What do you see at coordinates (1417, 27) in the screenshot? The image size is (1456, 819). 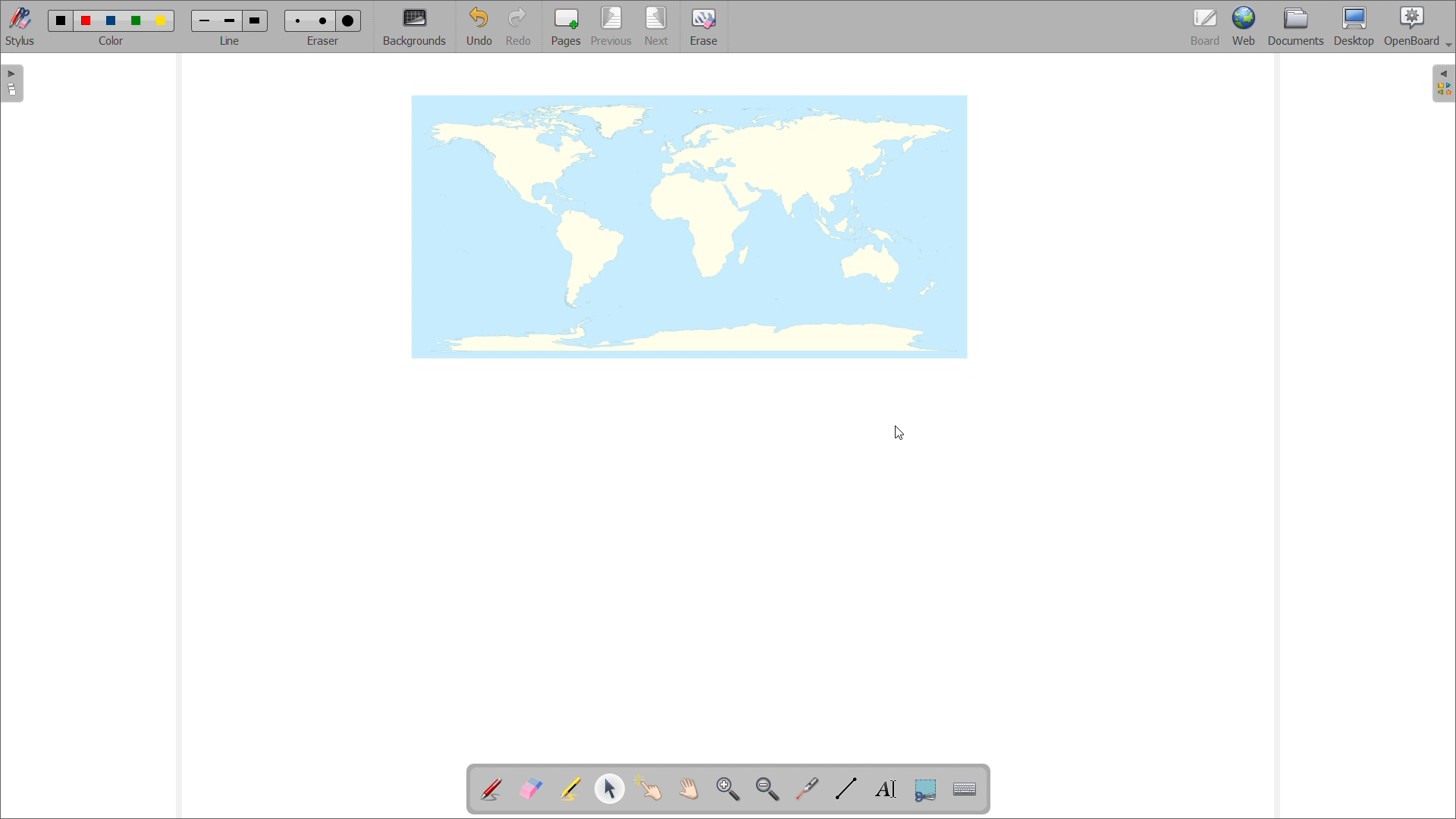 I see `openboard settings` at bounding box center [1417, 27].